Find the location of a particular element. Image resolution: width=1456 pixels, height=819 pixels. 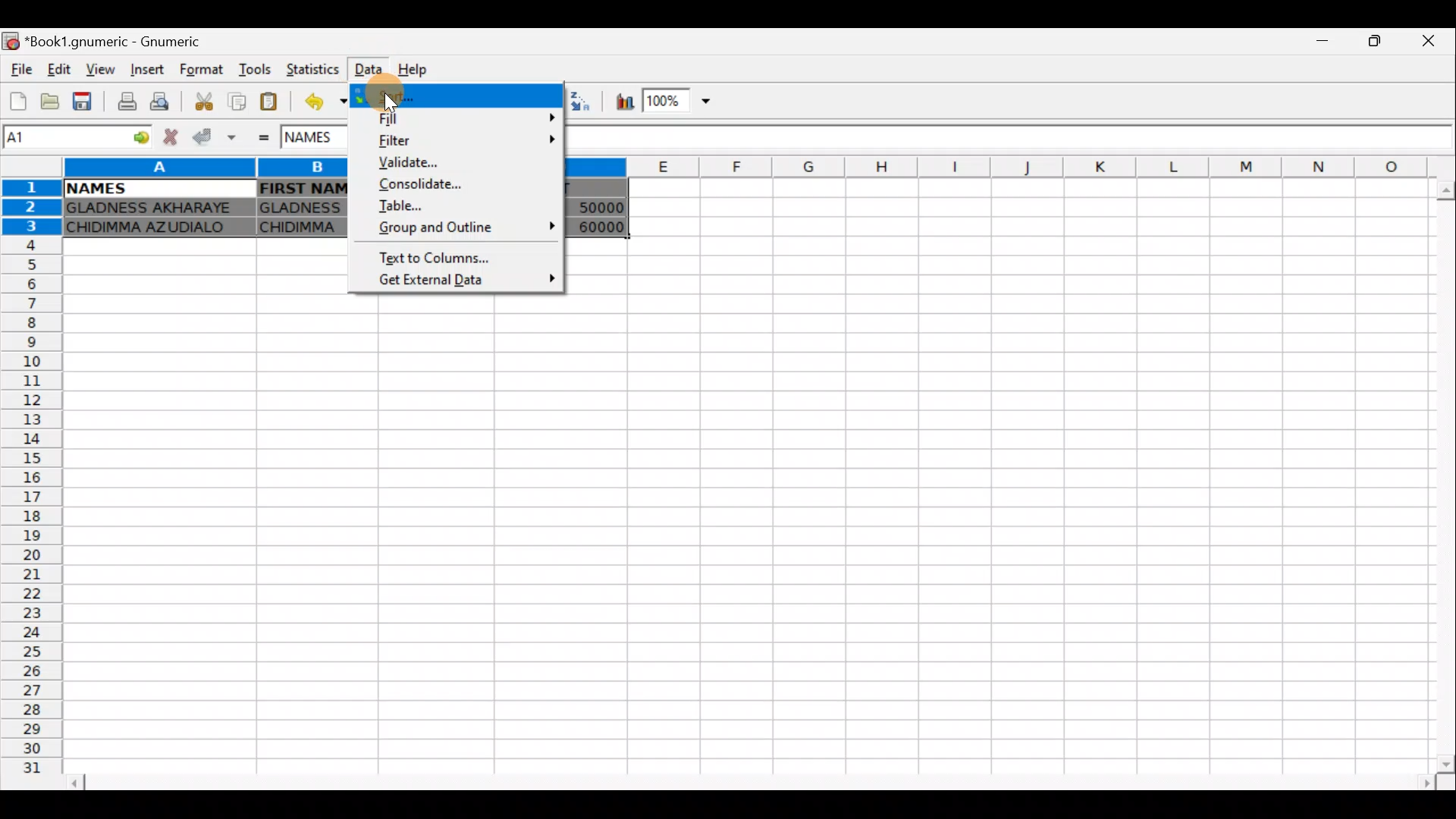

Insert chart is located at coordinates (624, 102).